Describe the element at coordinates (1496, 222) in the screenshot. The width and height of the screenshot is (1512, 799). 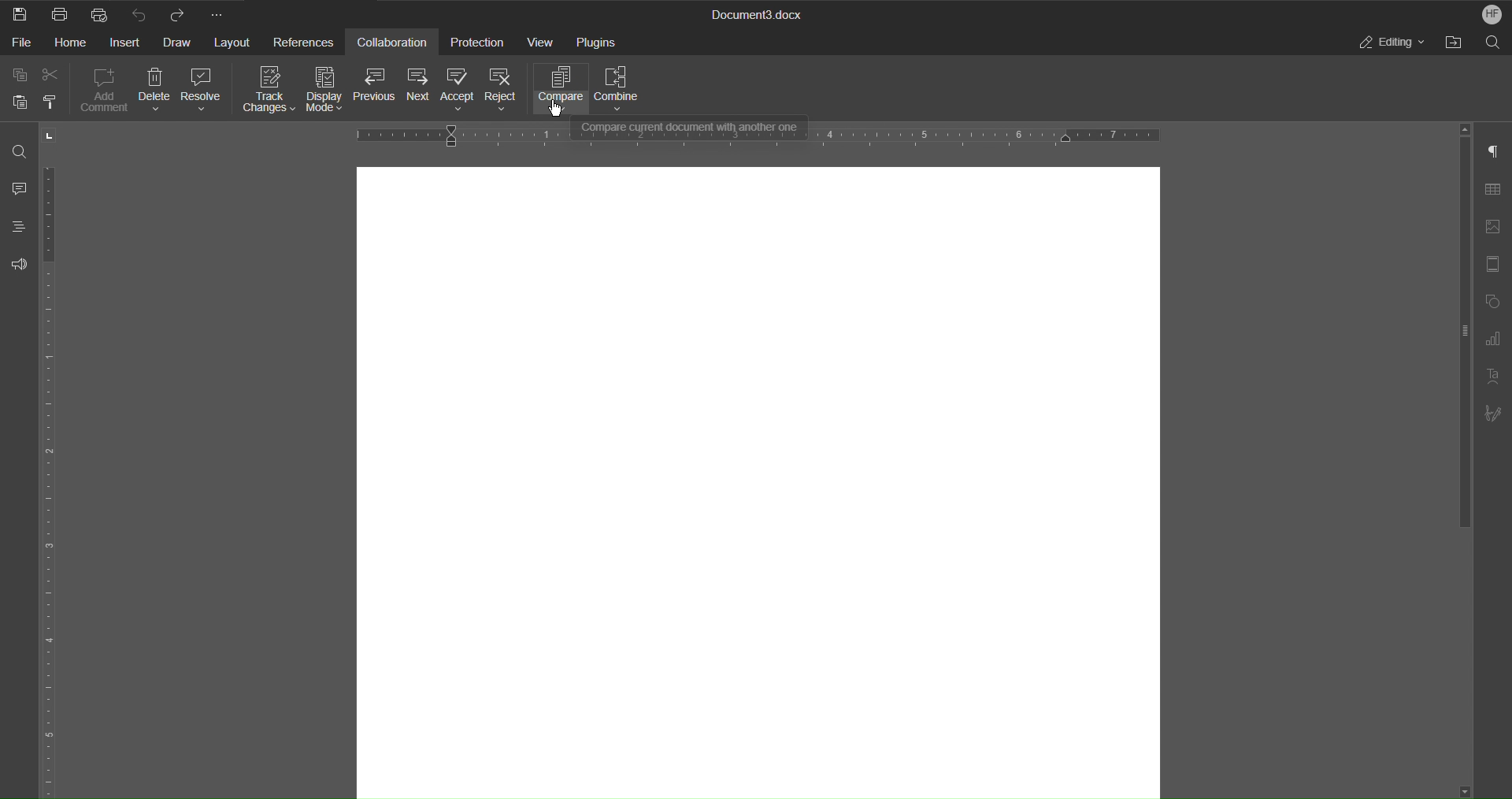
I see `Image Settings` at that location.